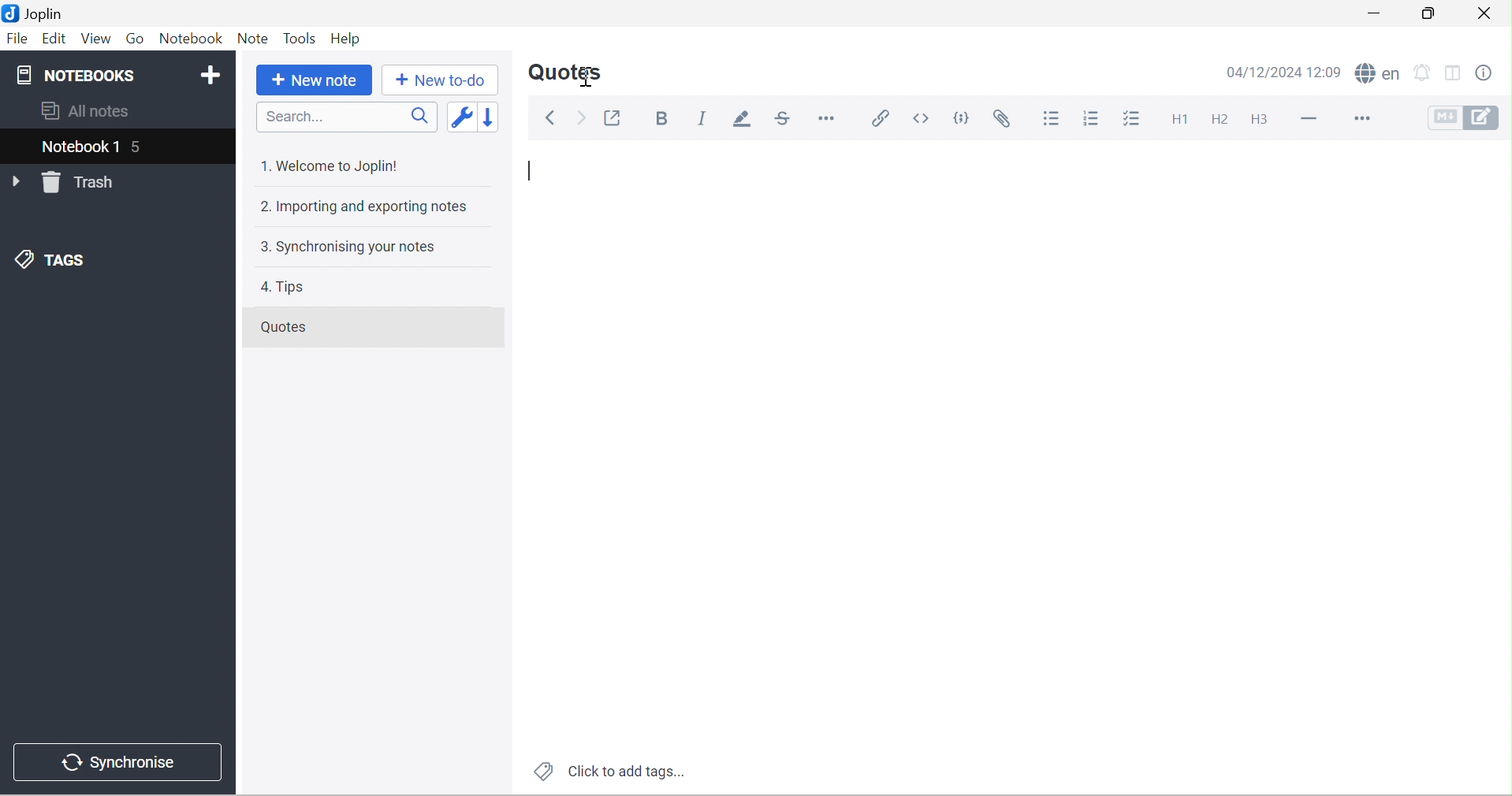  What do you see at coordinates (193, 40) in the screenshot?
I see `Notebook` at bounding box center [193, 40].